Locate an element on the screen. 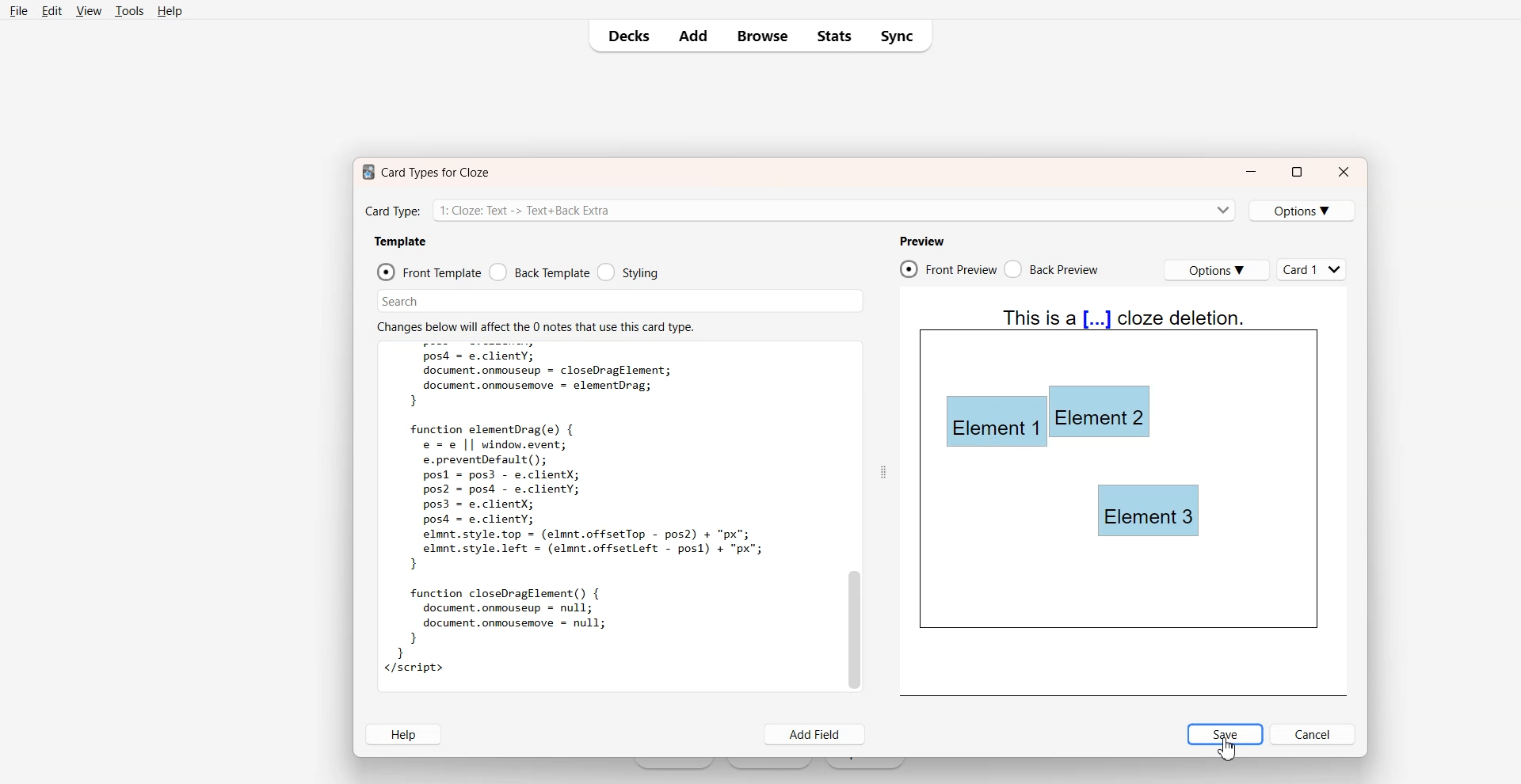 The width and height of the screenshot is (1521, 784). Tools is located at coordinates (128, 11).